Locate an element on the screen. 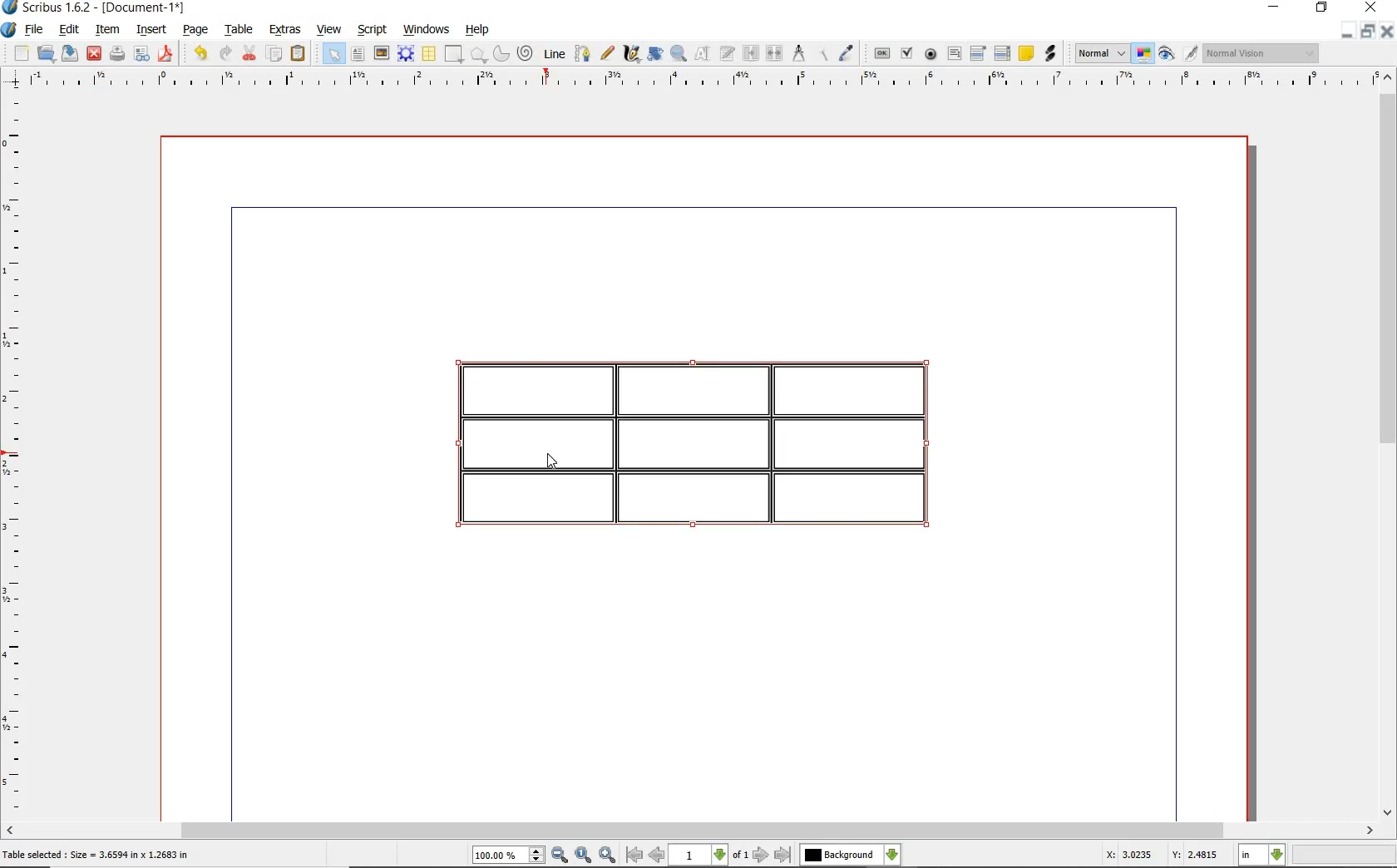 This screenshot has width=1397, height=868. MINIMIZE is located at coordinates (1273, 7).